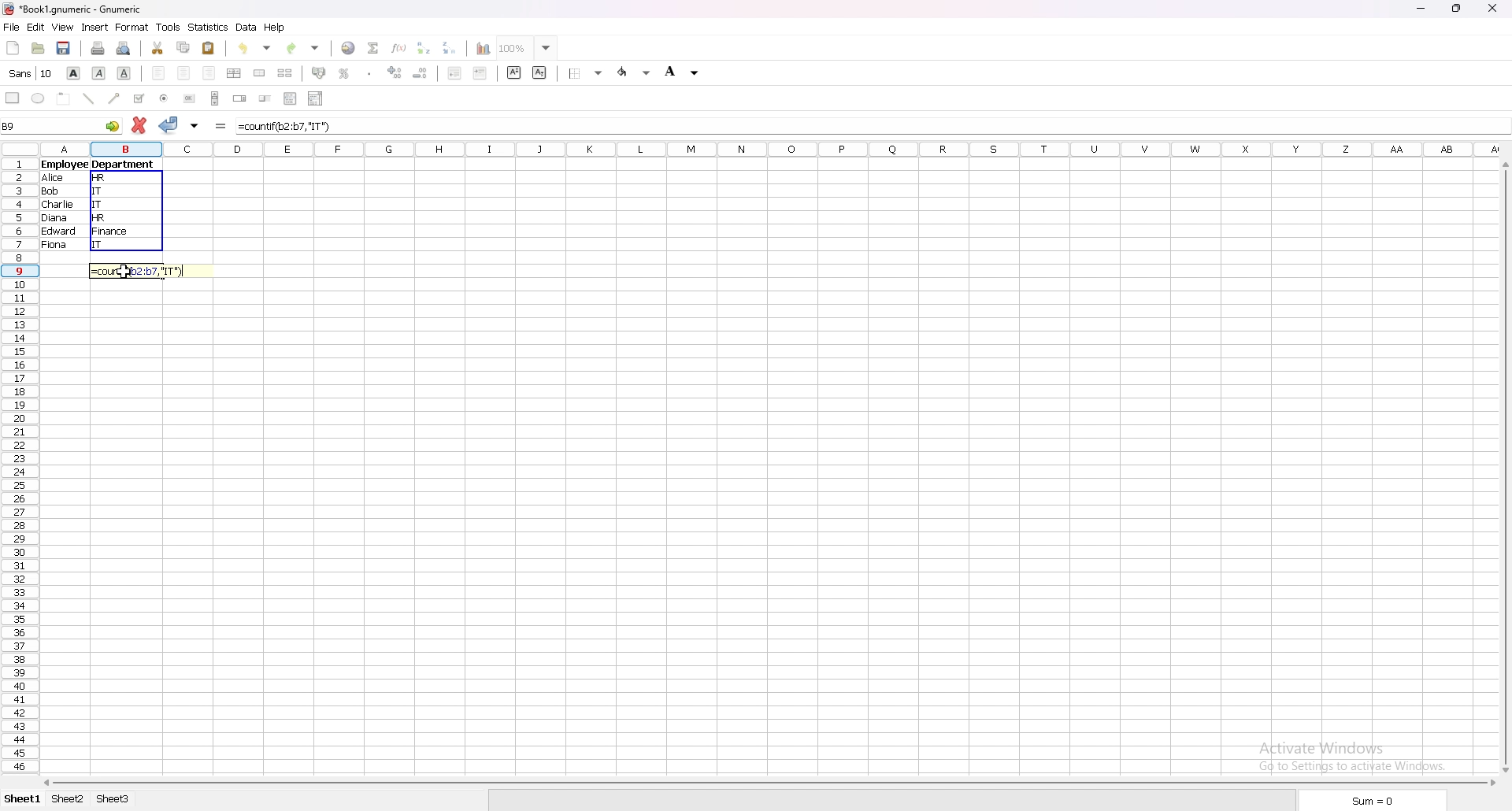 This screenshot has width=1512, height=811. I want to click on Finance, so click(111, 232).